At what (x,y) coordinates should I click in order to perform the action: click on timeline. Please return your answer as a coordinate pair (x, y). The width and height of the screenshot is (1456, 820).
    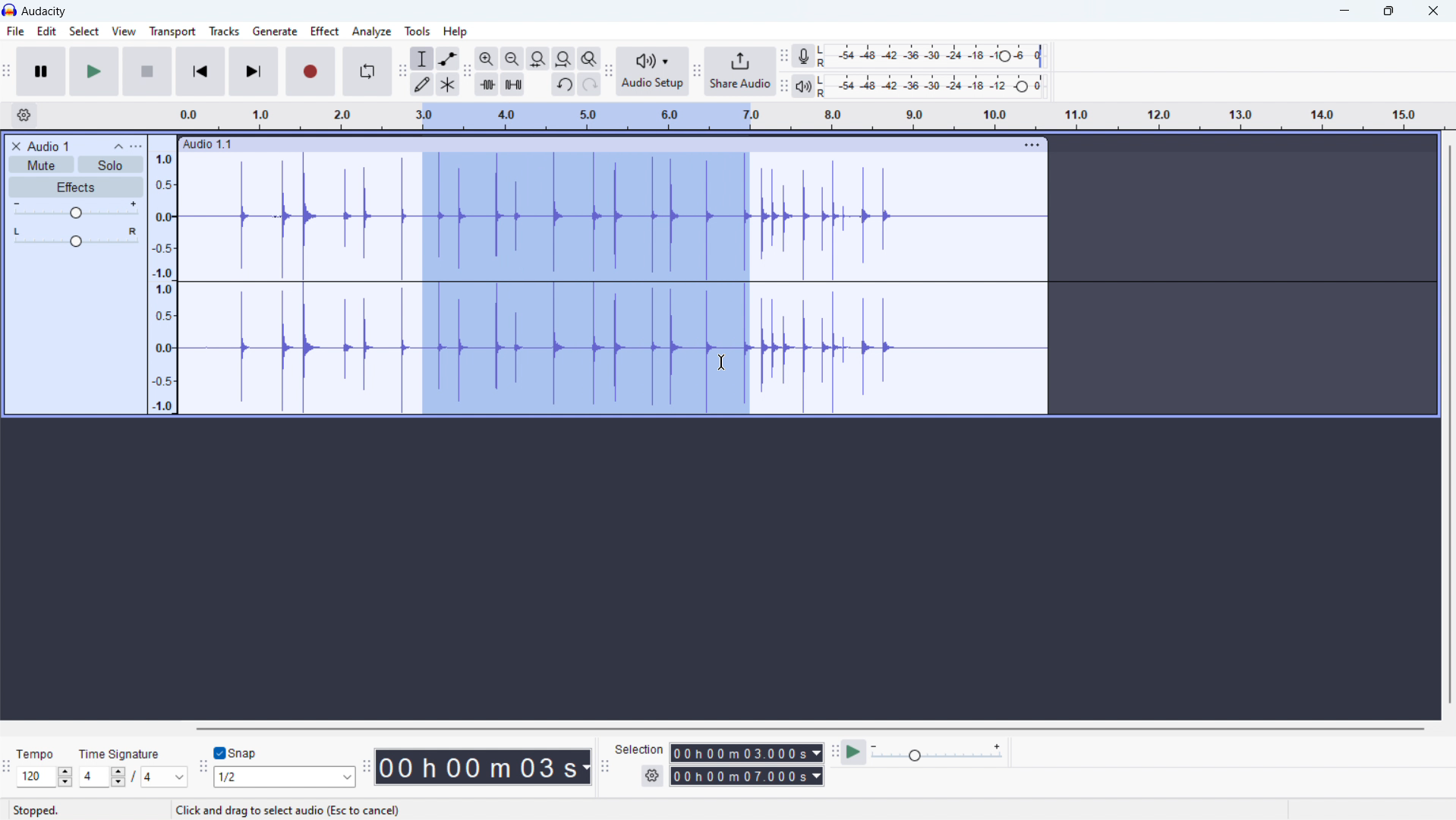
    Looking at the image, I should click on (811, 116).